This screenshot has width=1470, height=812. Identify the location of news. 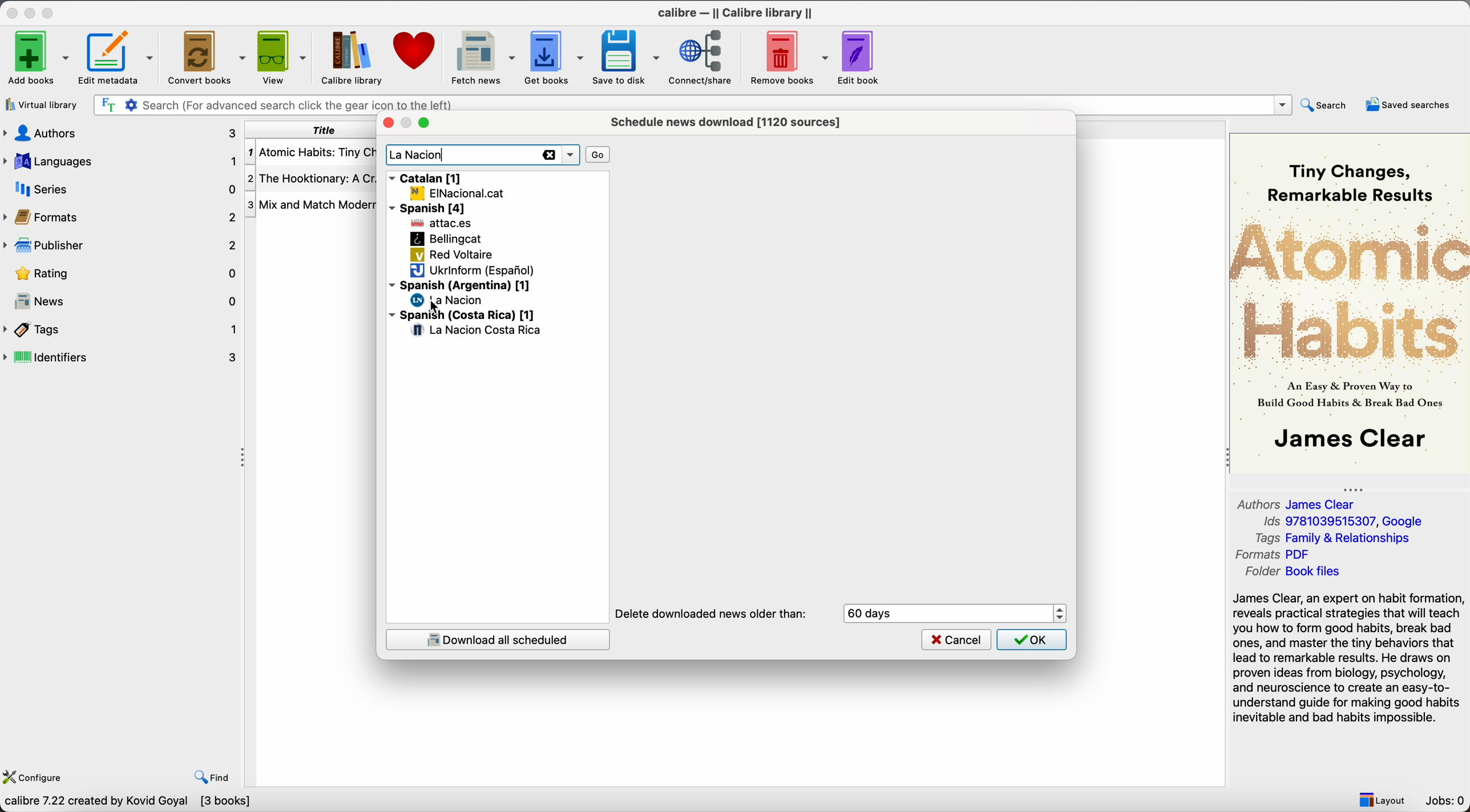
(122, 298).